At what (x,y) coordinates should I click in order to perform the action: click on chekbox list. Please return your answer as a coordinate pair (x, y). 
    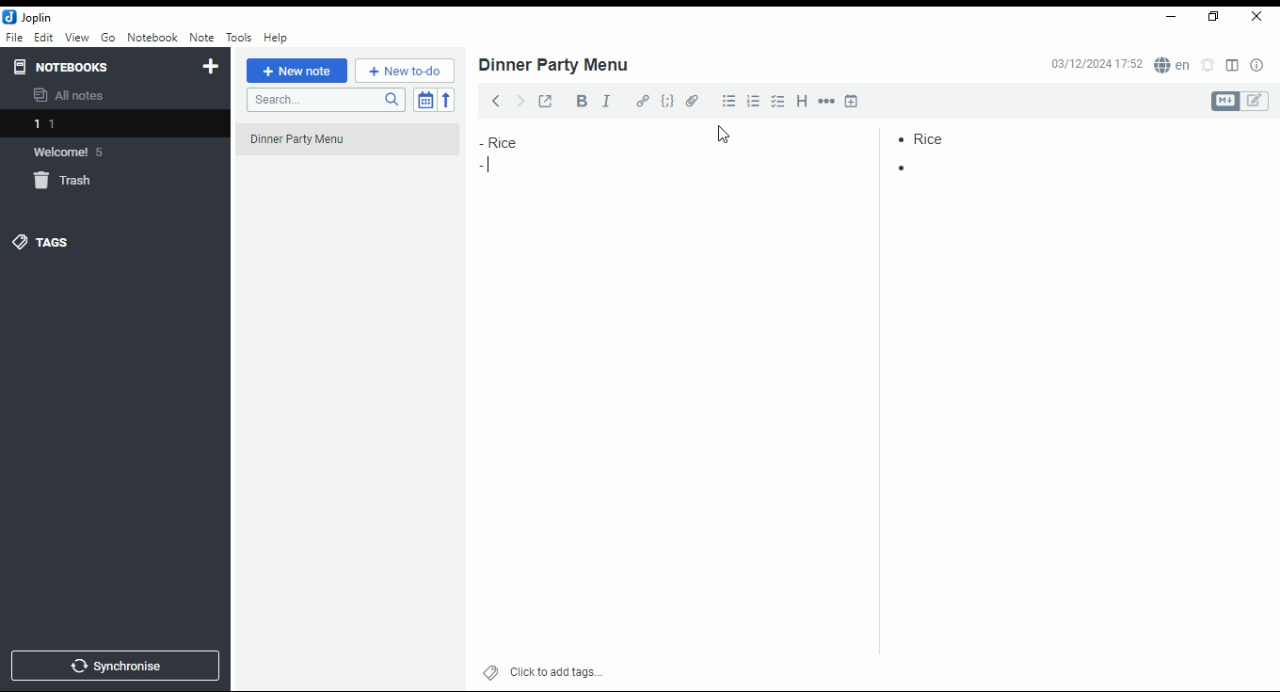
    Looking at the image, I should click on (779, 101).